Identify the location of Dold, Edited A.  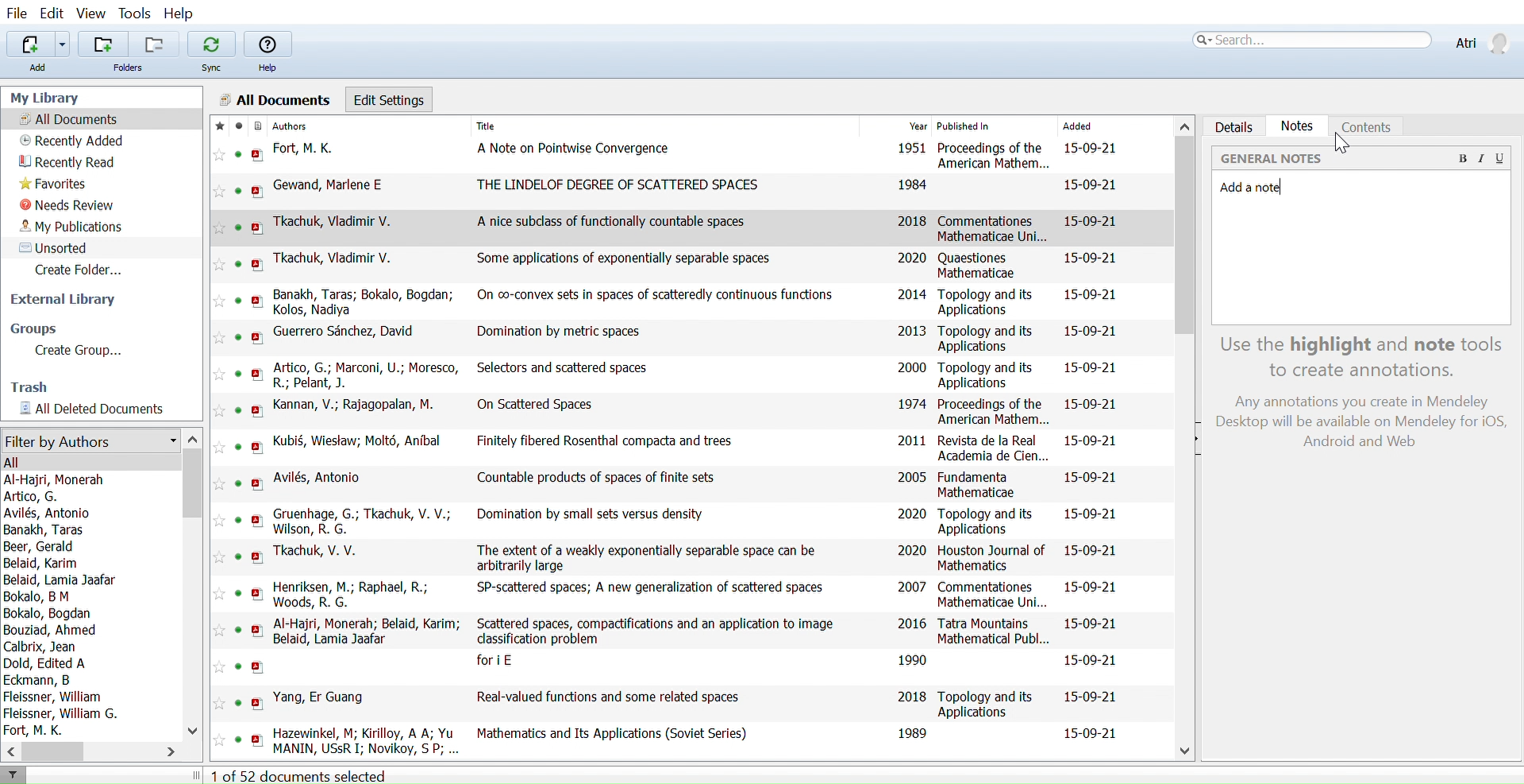
(47, 663).